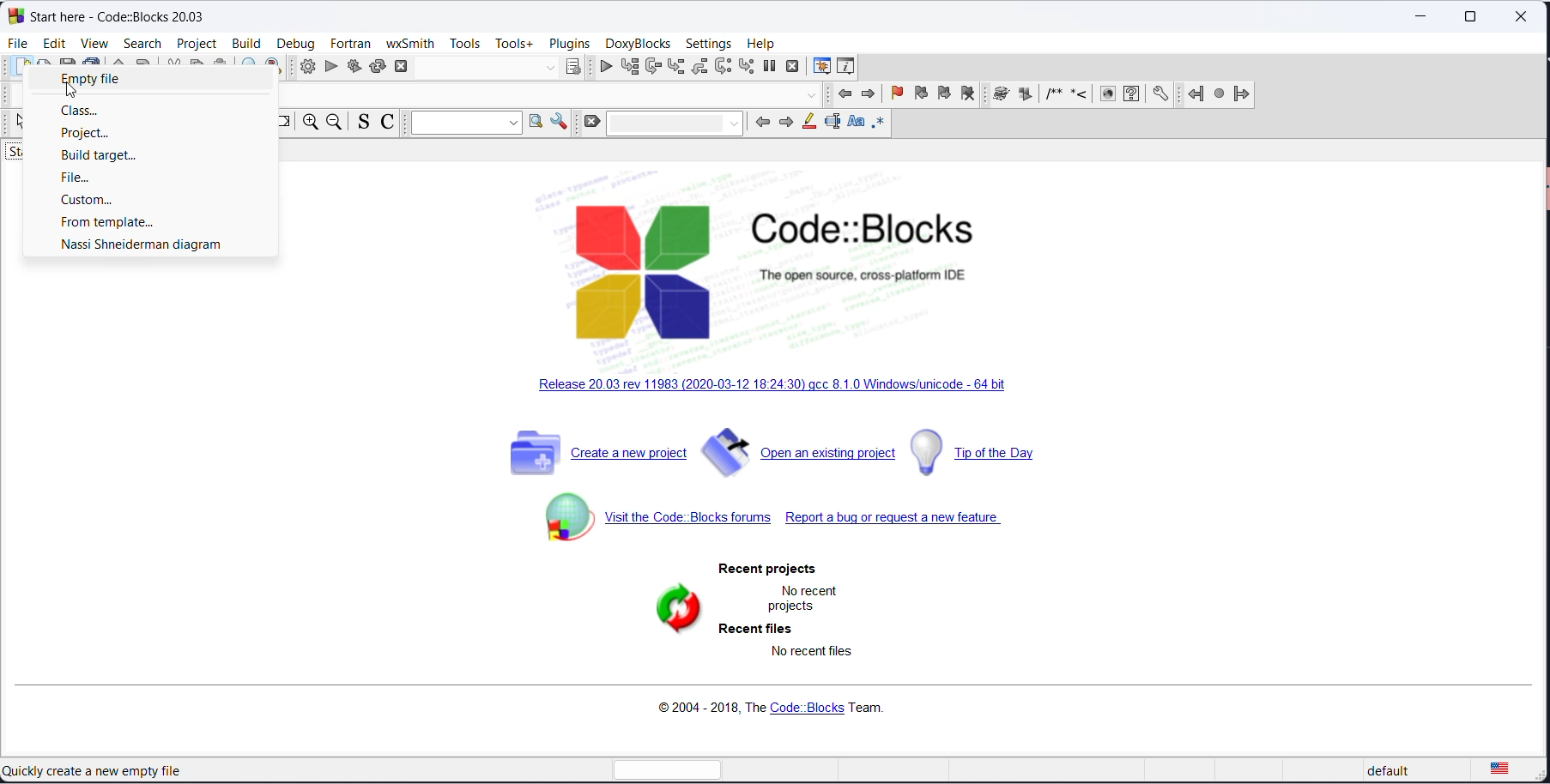 This screenshot has width=1550, height=784. What do you see at coordinates (777, 709) in the screenshot?
I see `©2004 - 2018, The Code: Blocks Team.` at bounding box center [777, 709].